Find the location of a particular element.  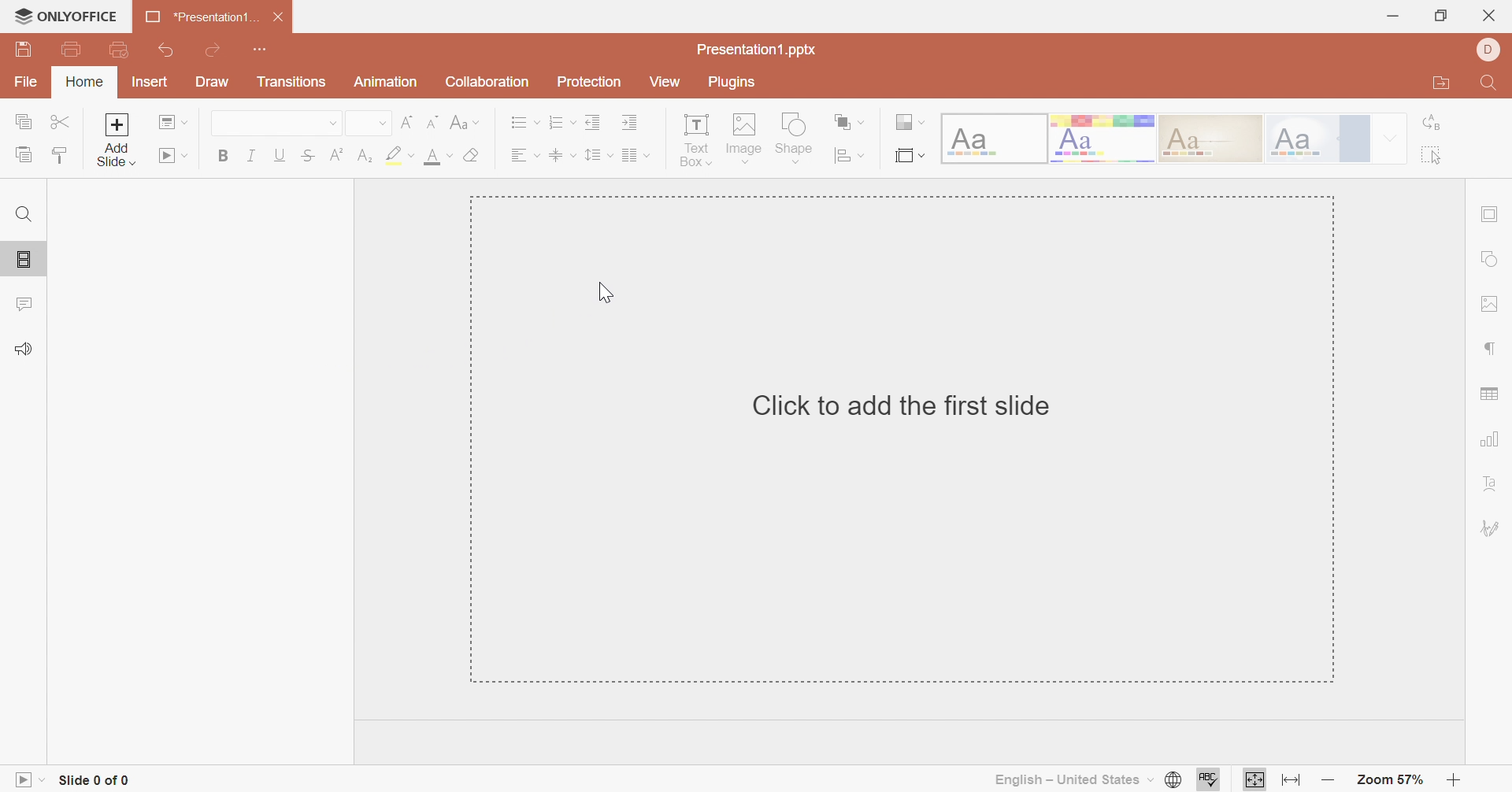

Drop Down is located at coordinates (184, 122).